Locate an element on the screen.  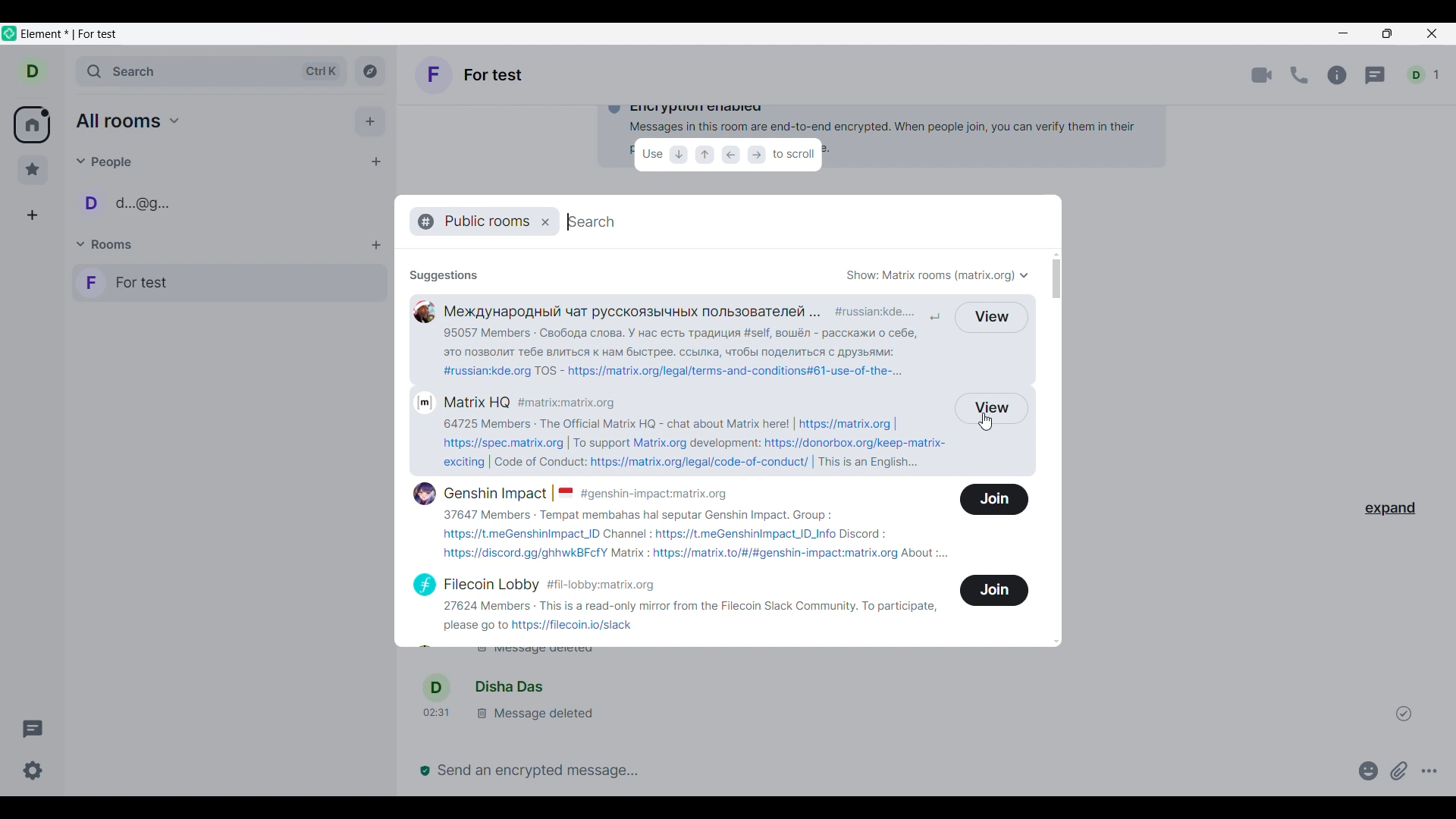
Attachement is located at coordinates (1399, 771).